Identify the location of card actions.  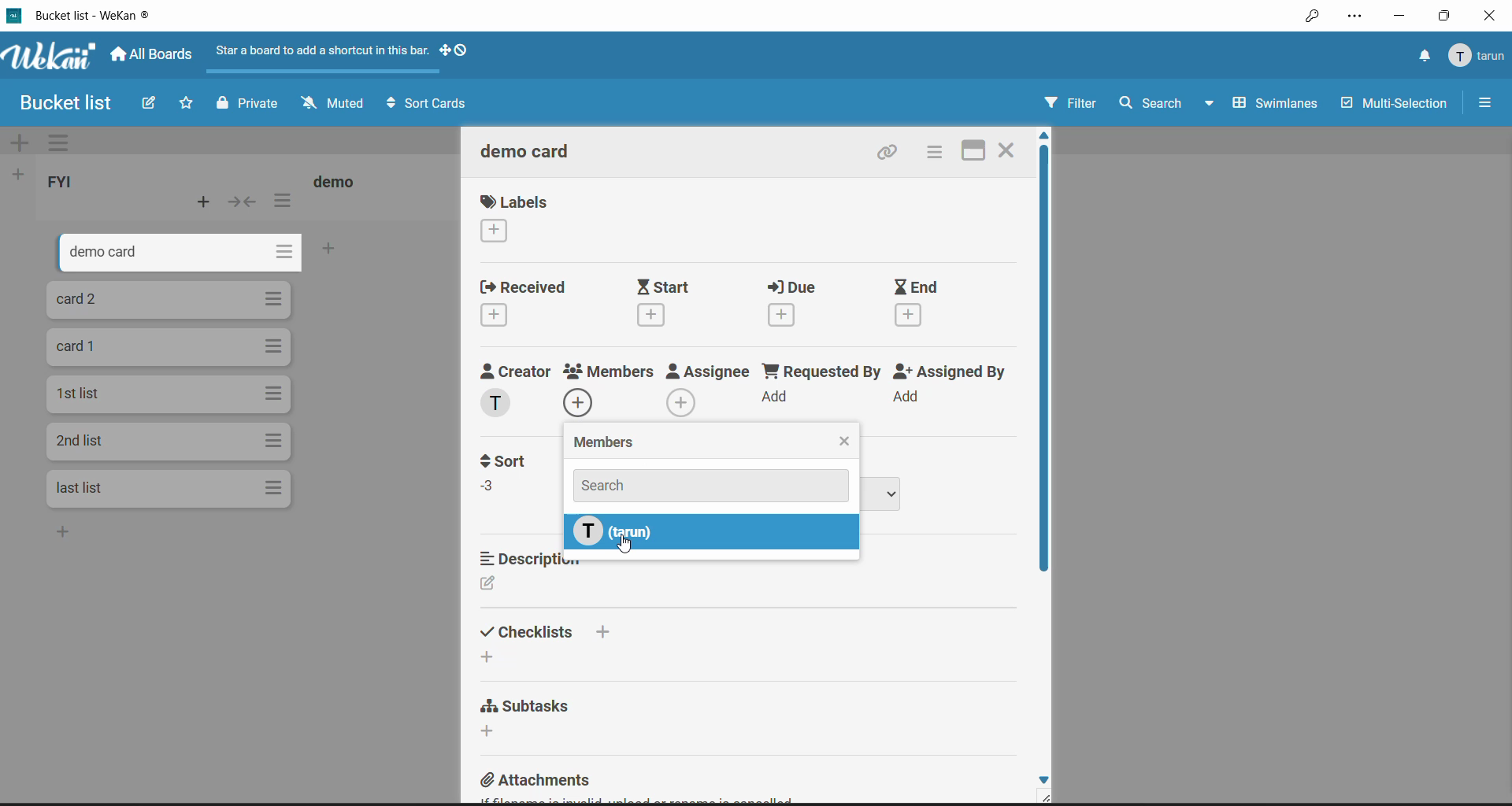
(939, 151).